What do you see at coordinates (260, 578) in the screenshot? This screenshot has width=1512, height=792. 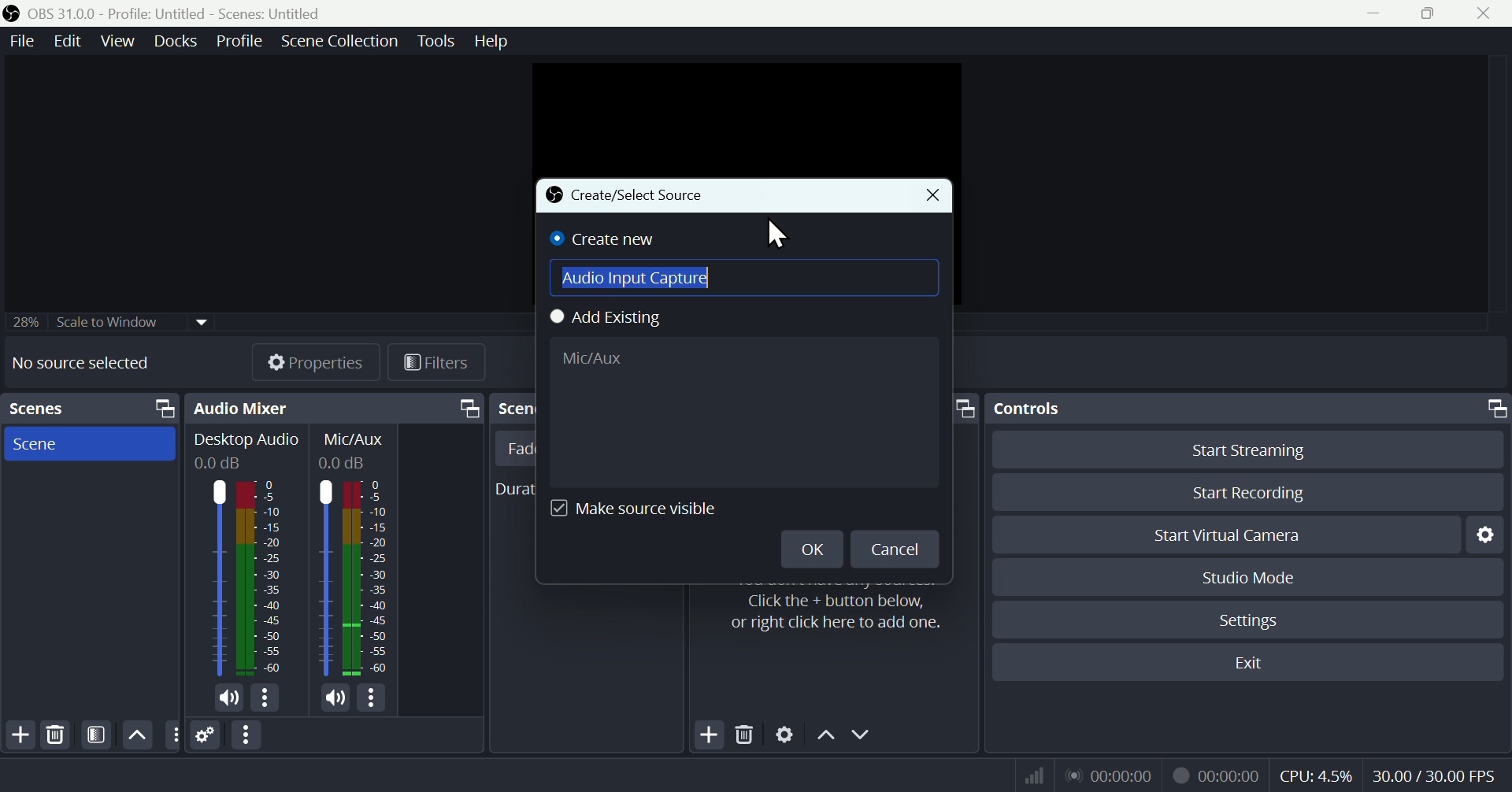 I see `Desktop Audio bar` at bounding box center [260, 578].